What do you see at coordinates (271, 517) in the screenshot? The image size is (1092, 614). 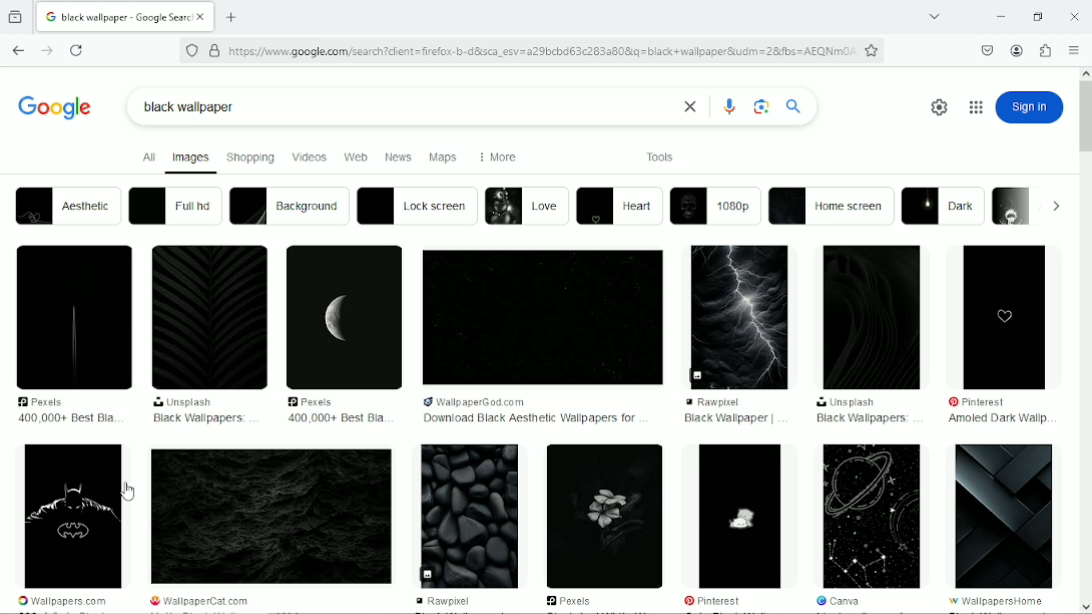 I see `black wallpaper image` at bounding box center [271, 517].